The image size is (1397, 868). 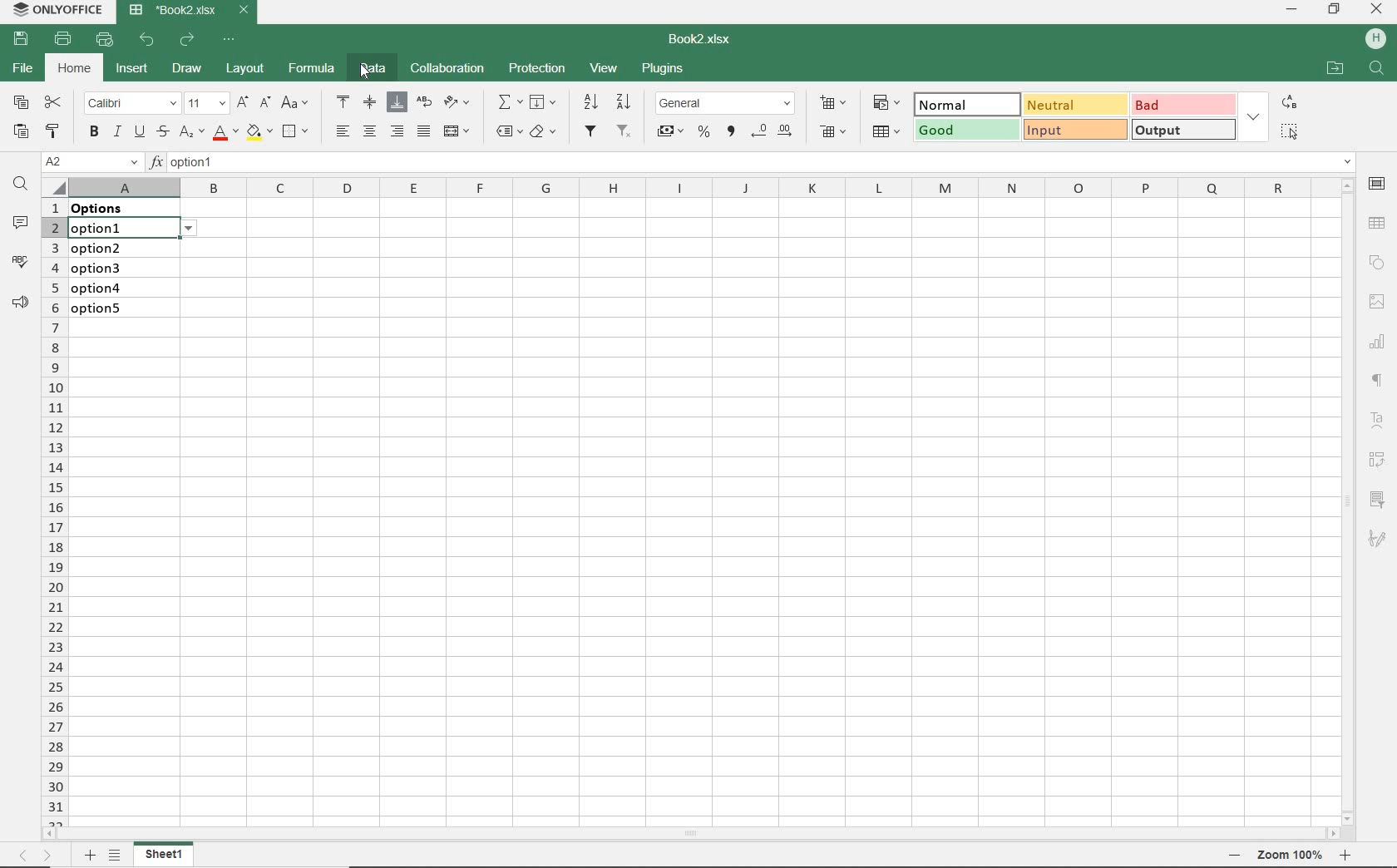 I want to click on INPUT, so click(x=1071, y=131).